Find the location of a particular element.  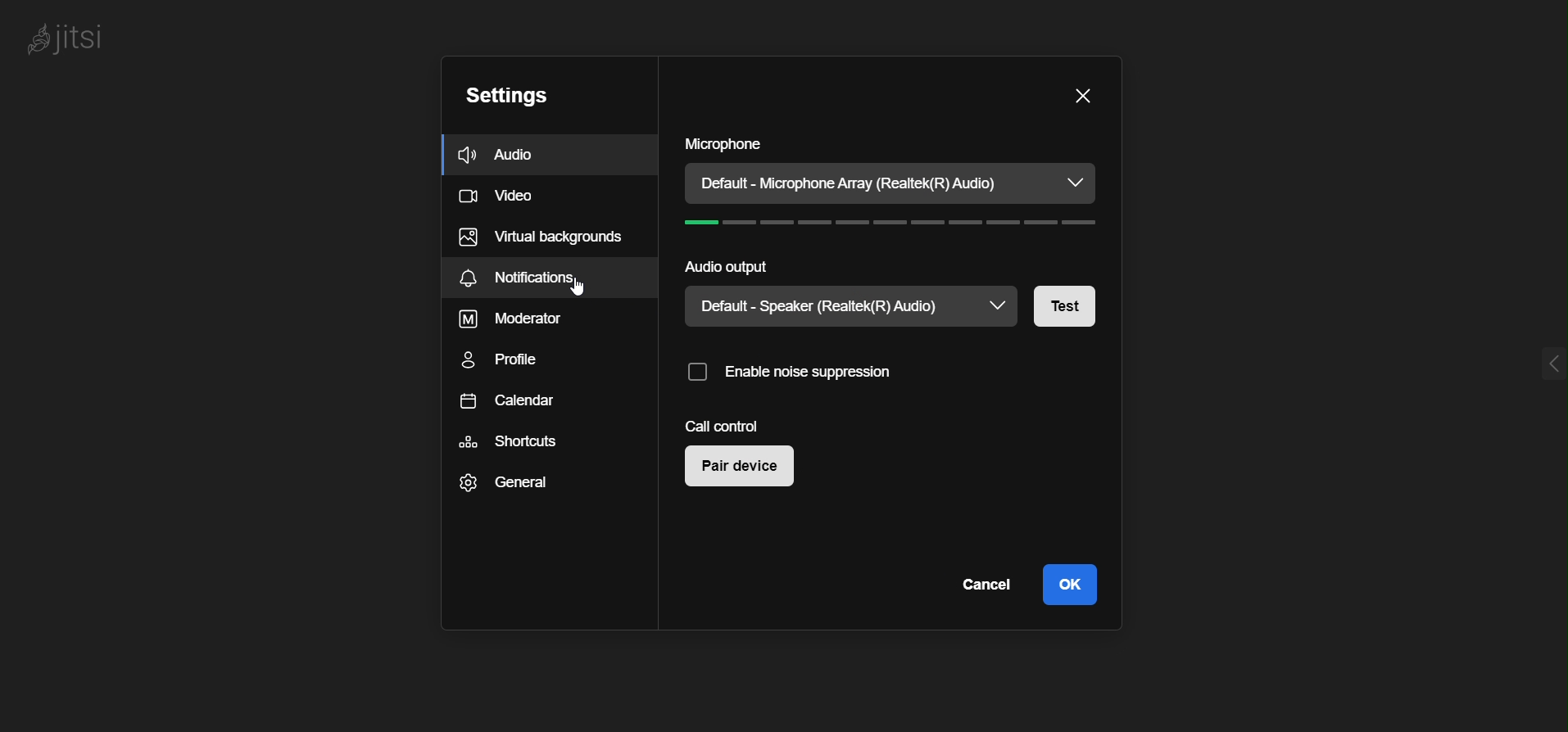

logo is located at coordinates (71, 38).